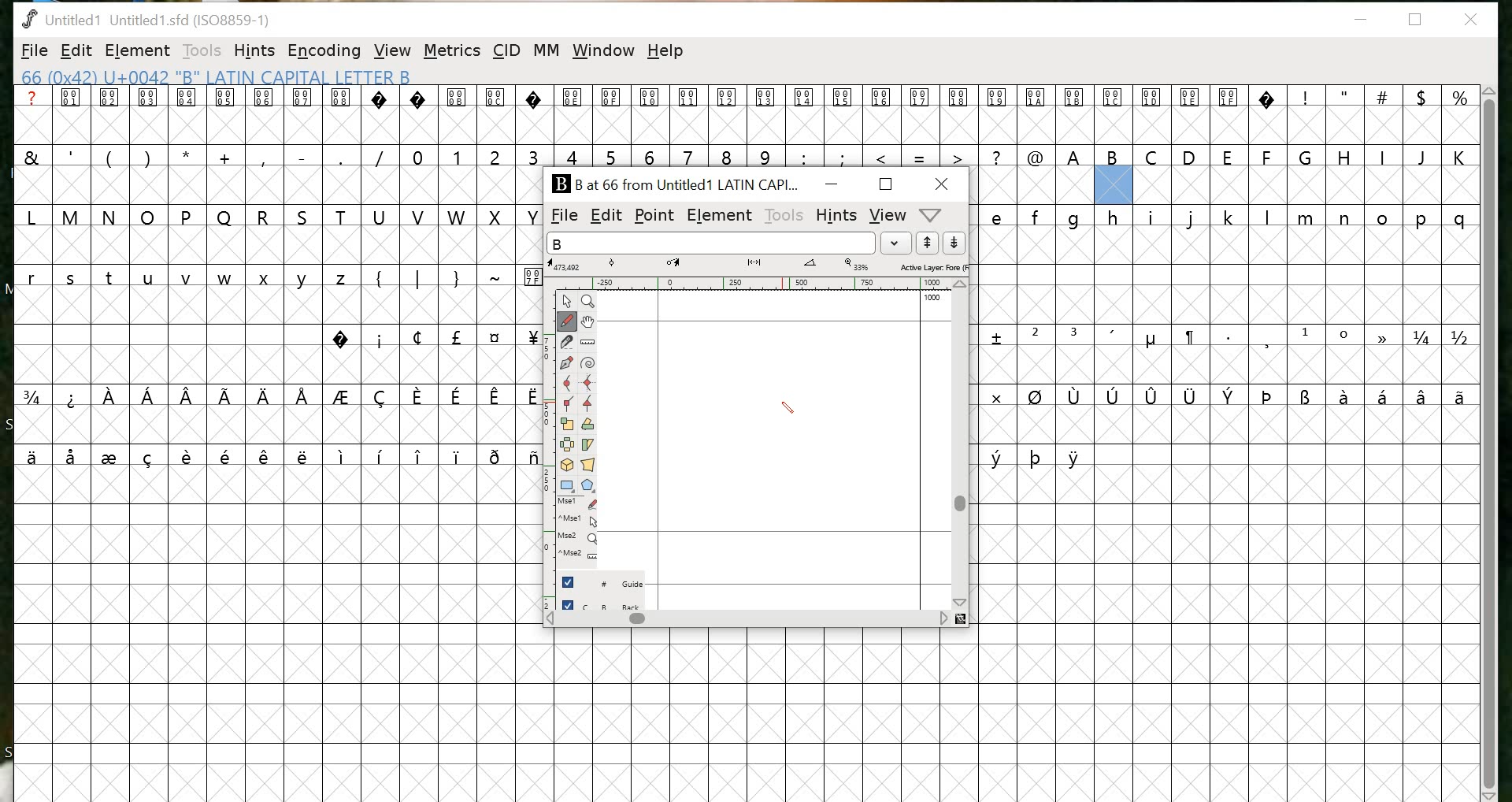 The image size is (1512, 802). What do you see at coordinates (589, 363) in the screenshot?
I see `Spiro` at bounding box center [589, 363].